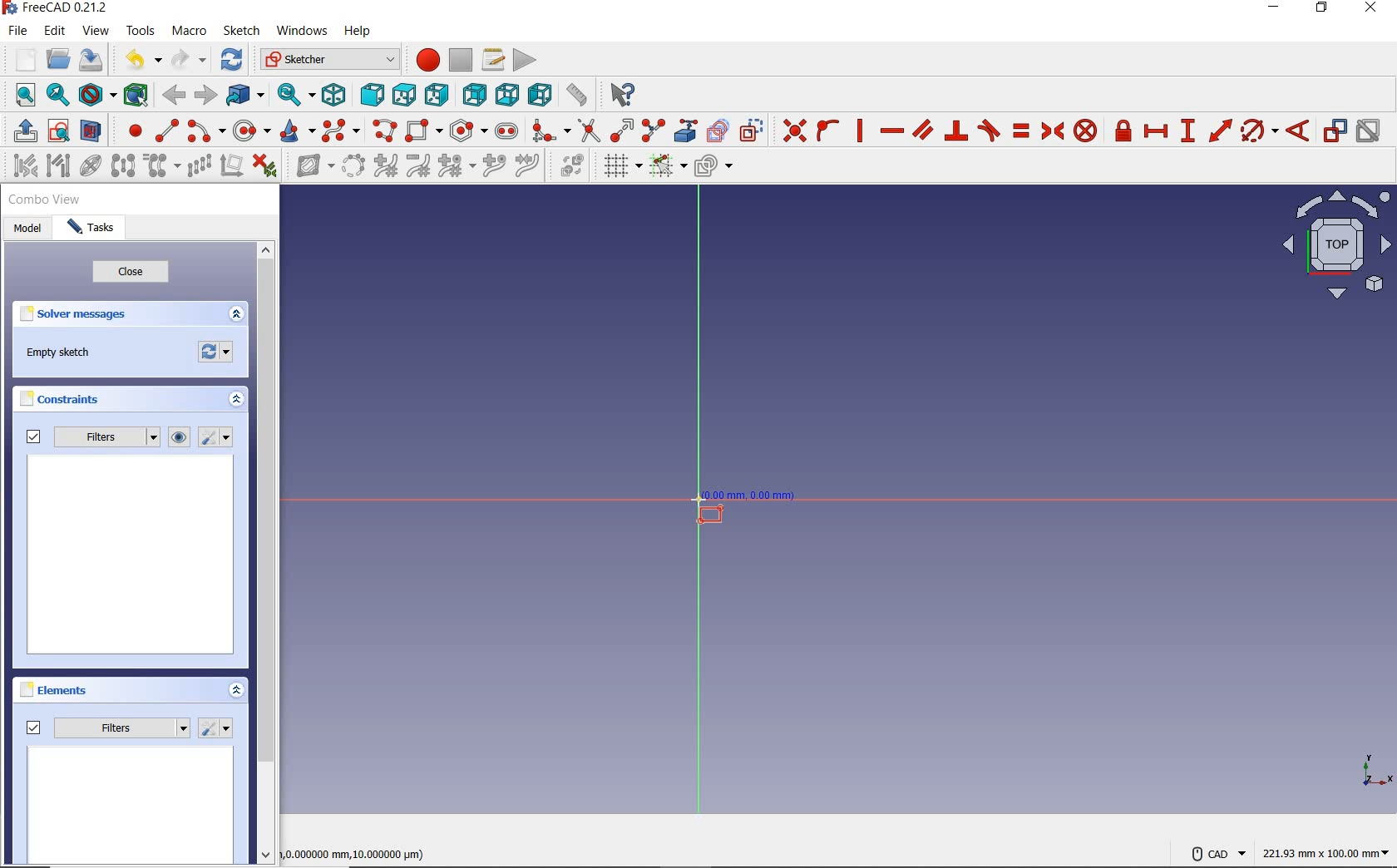 This screenshot has width=1397, height=868. I want to click on front, so click(372, 96).